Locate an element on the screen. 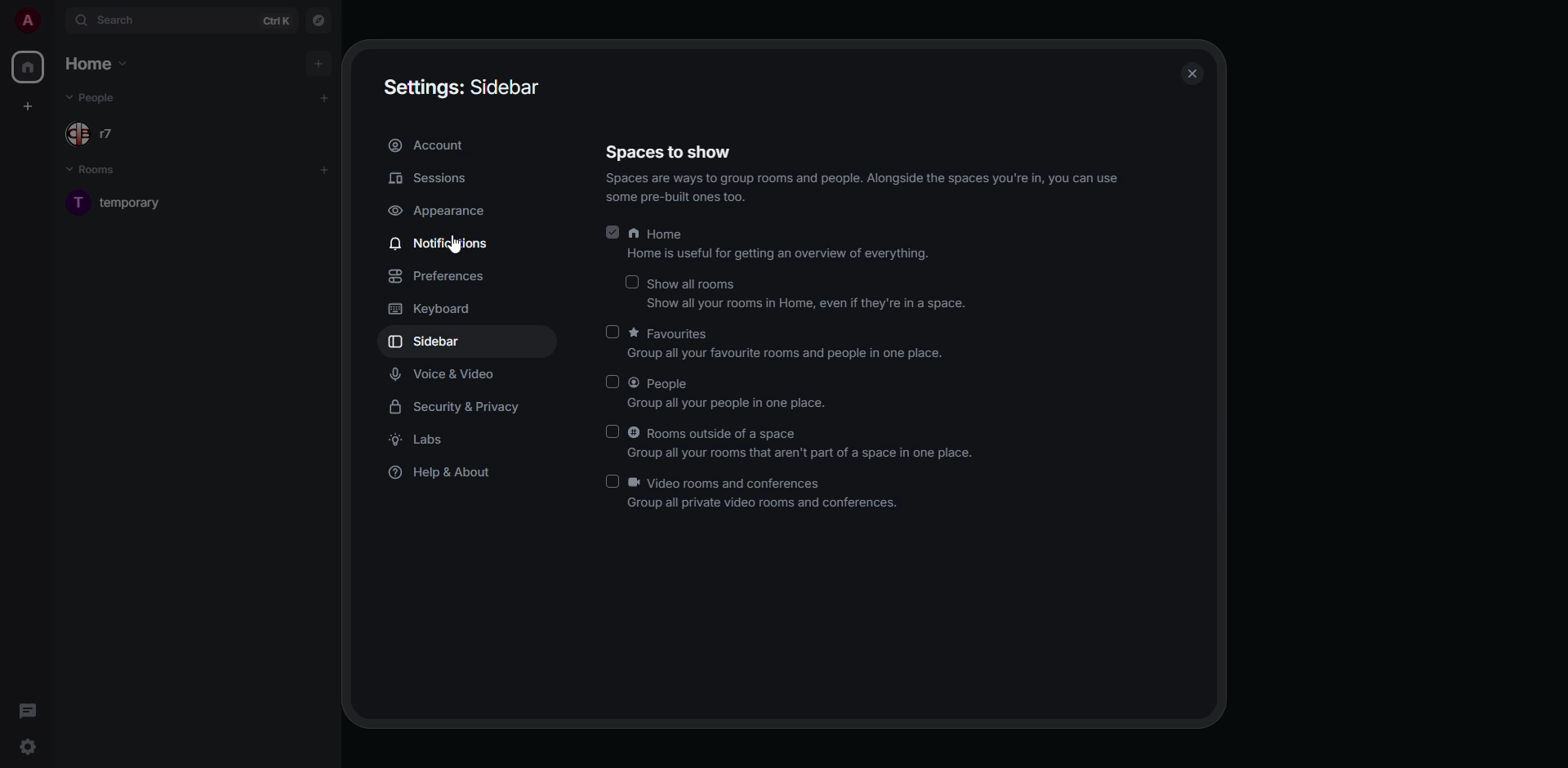 This screenshot has height=768, width=1568. profile is located at coordinates (27, 20).